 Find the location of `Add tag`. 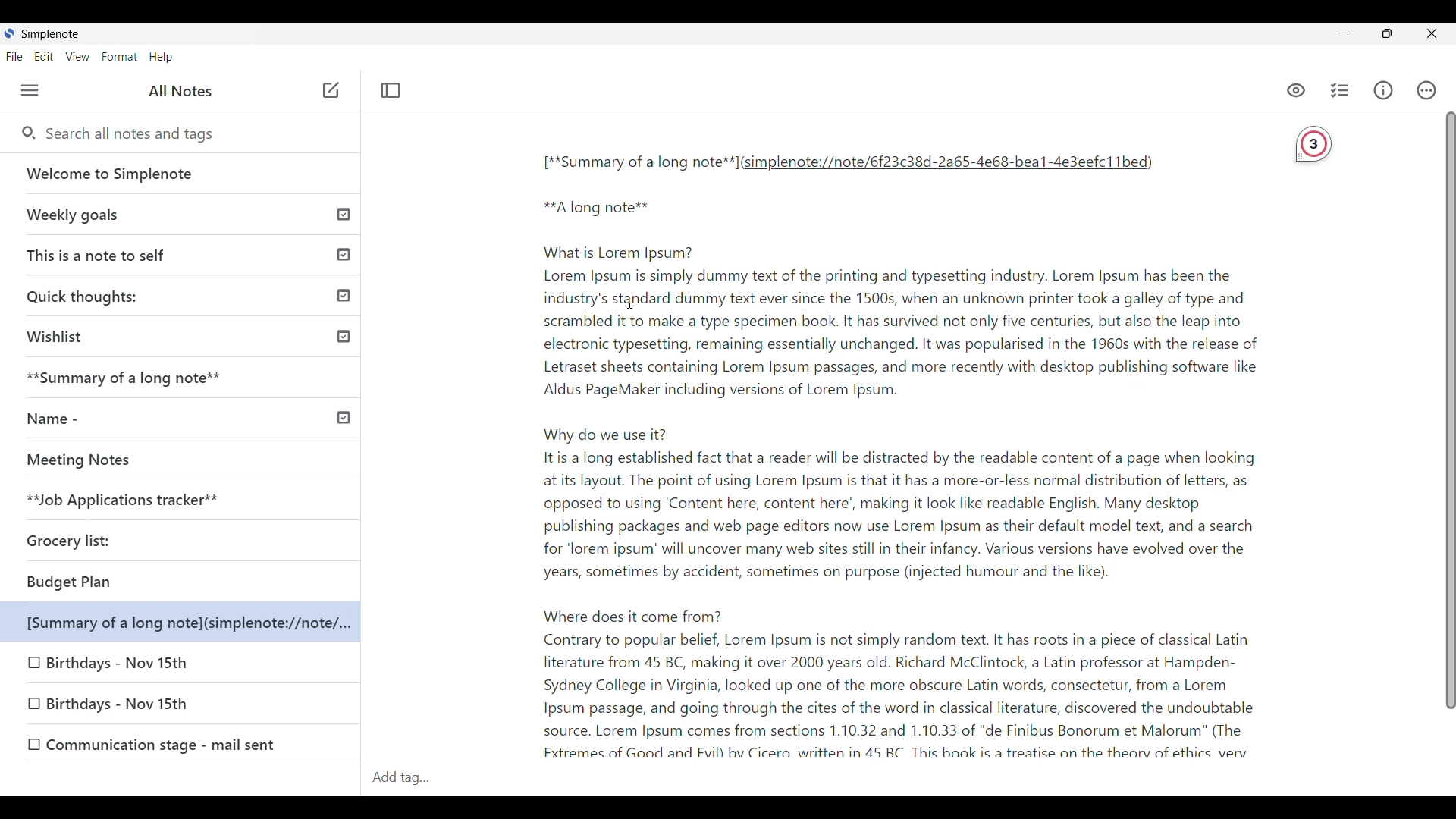

Add tag is located at coordinates (409, 777).